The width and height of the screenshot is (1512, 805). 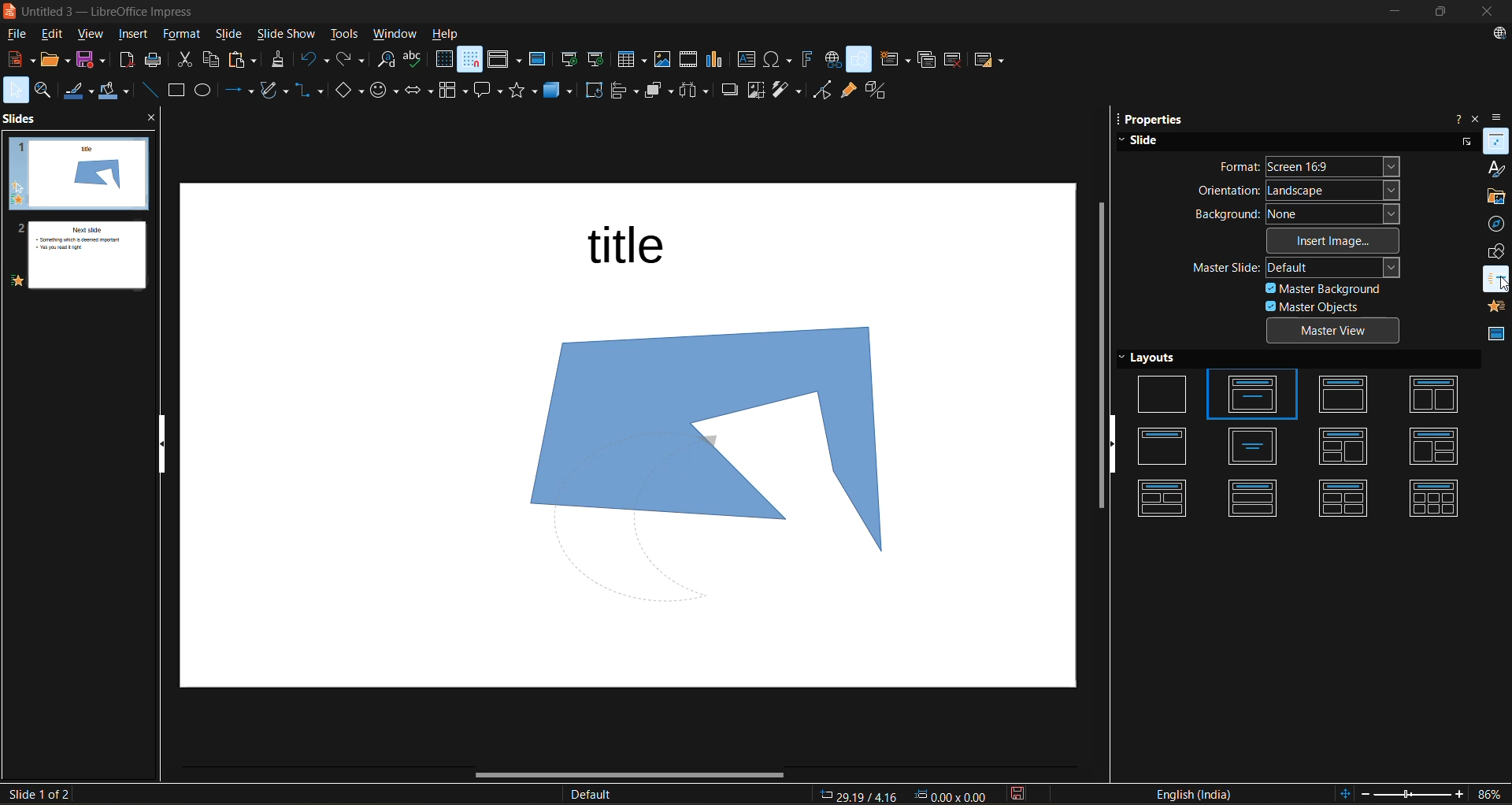 What do you see at coordinates (491, 91) in the screenshot?
I see `callout shapes` at bounding box center [491, 91].